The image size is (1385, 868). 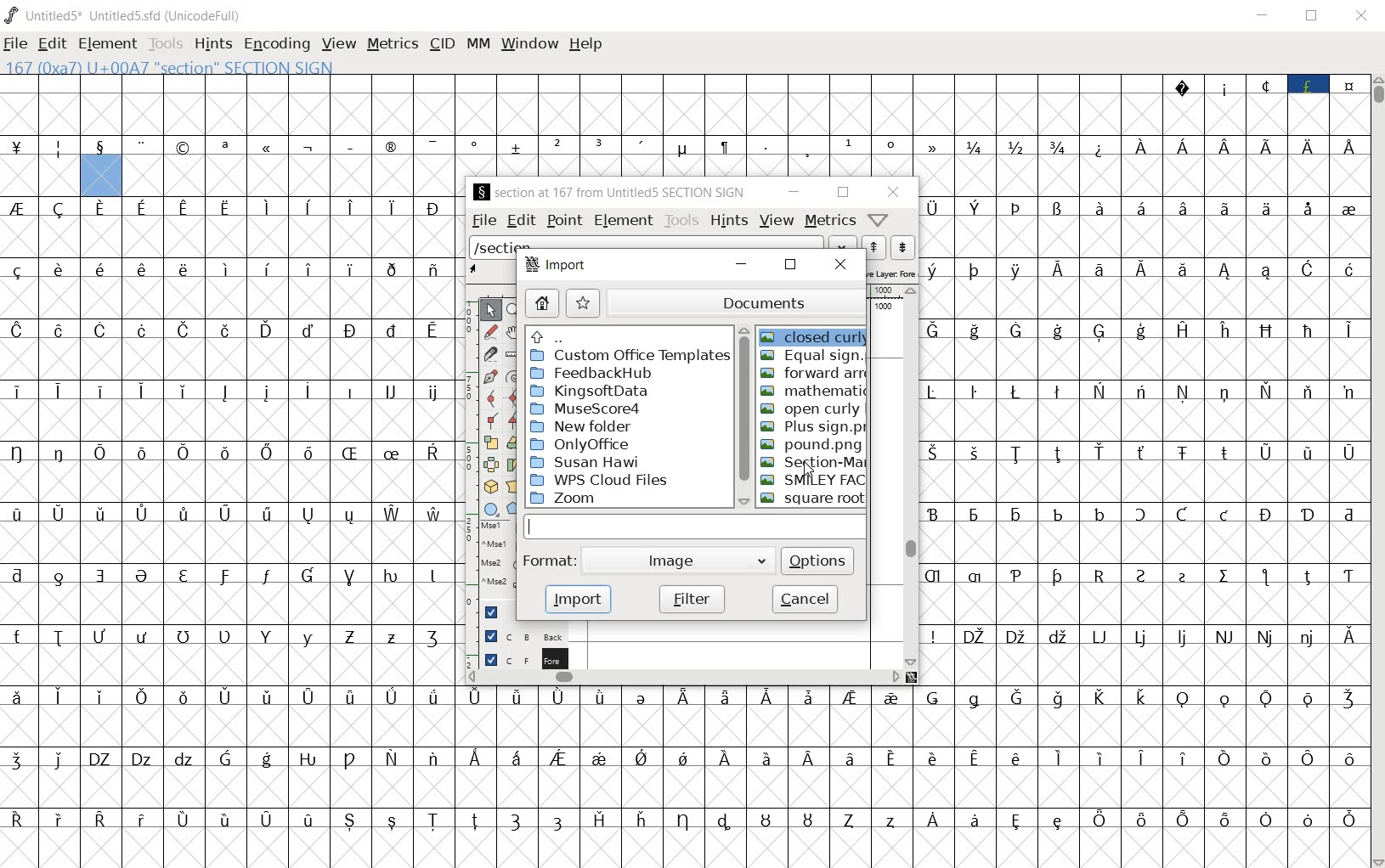 What do you see at coordinates (744, 414) in the screenshot?
I see `scrollbar` at bounding box center [744, 414].